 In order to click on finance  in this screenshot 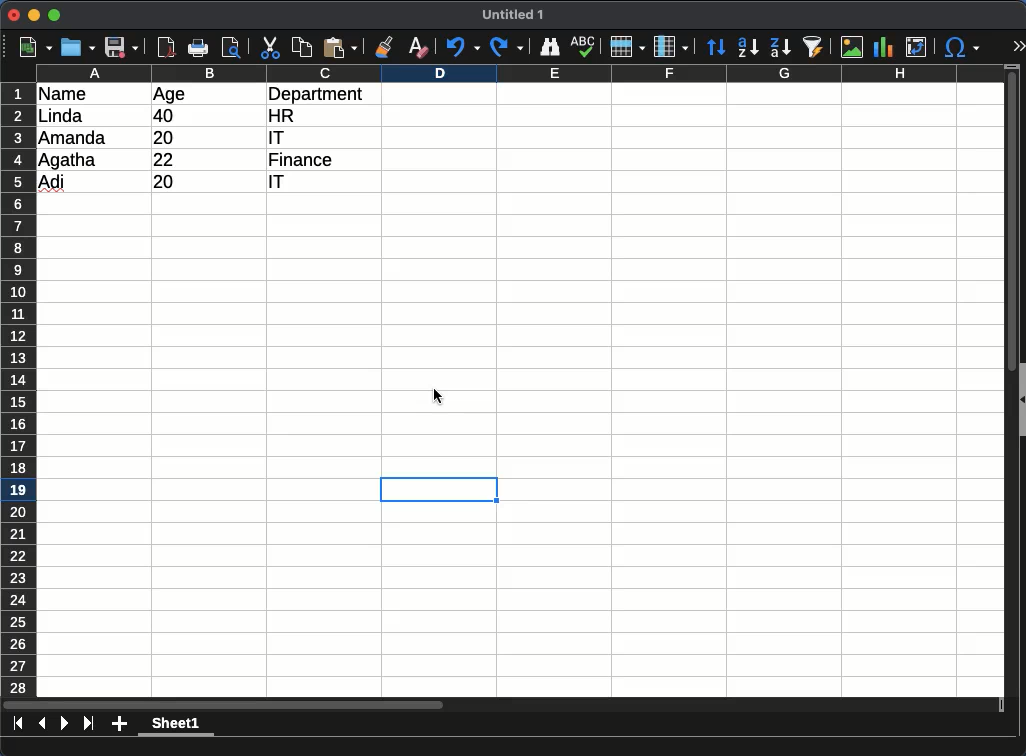, I will do `click(303, 160)`.